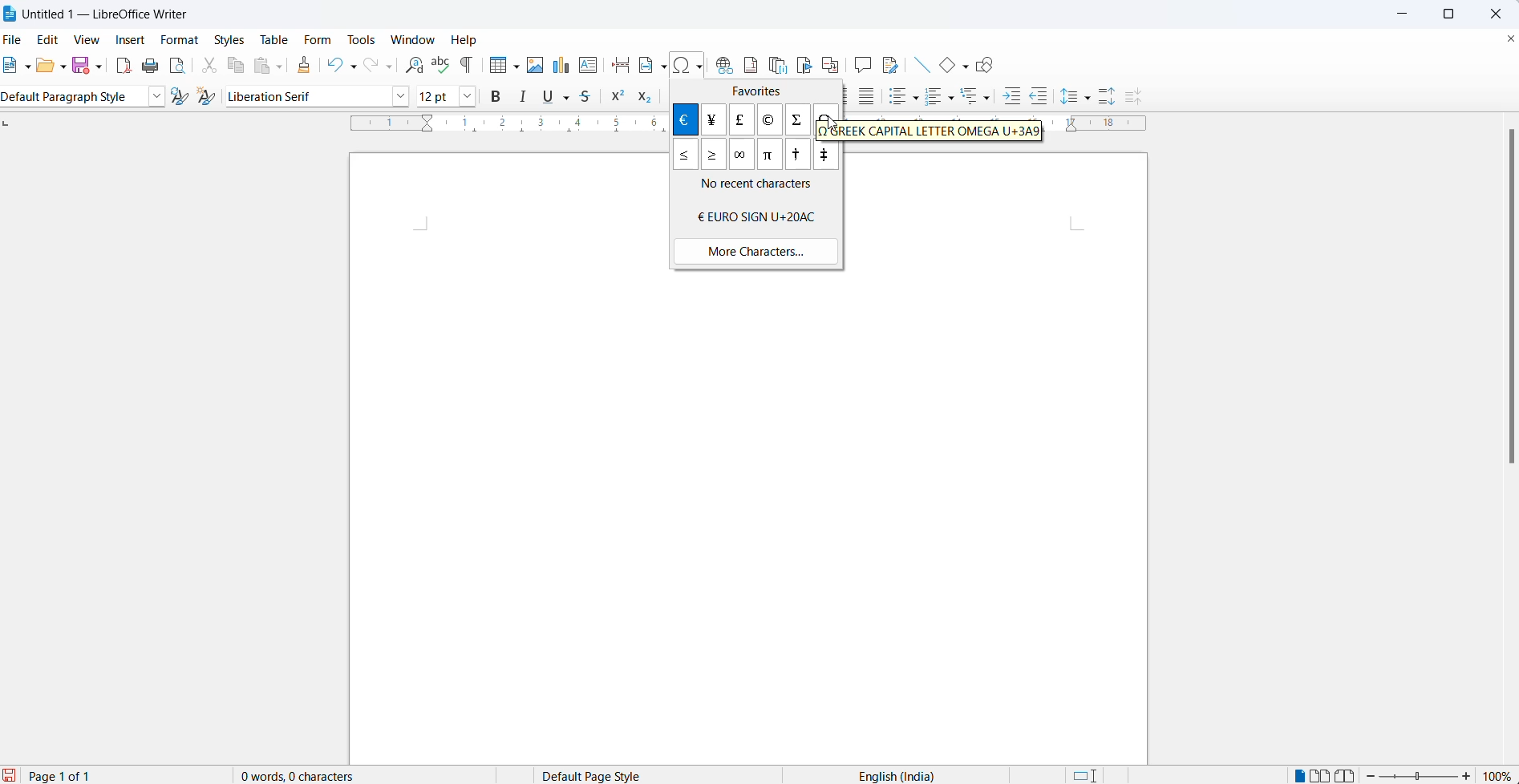 The height and width of the screenshot is (784, 1519). I want to click on cell grid, so click(515, 64).